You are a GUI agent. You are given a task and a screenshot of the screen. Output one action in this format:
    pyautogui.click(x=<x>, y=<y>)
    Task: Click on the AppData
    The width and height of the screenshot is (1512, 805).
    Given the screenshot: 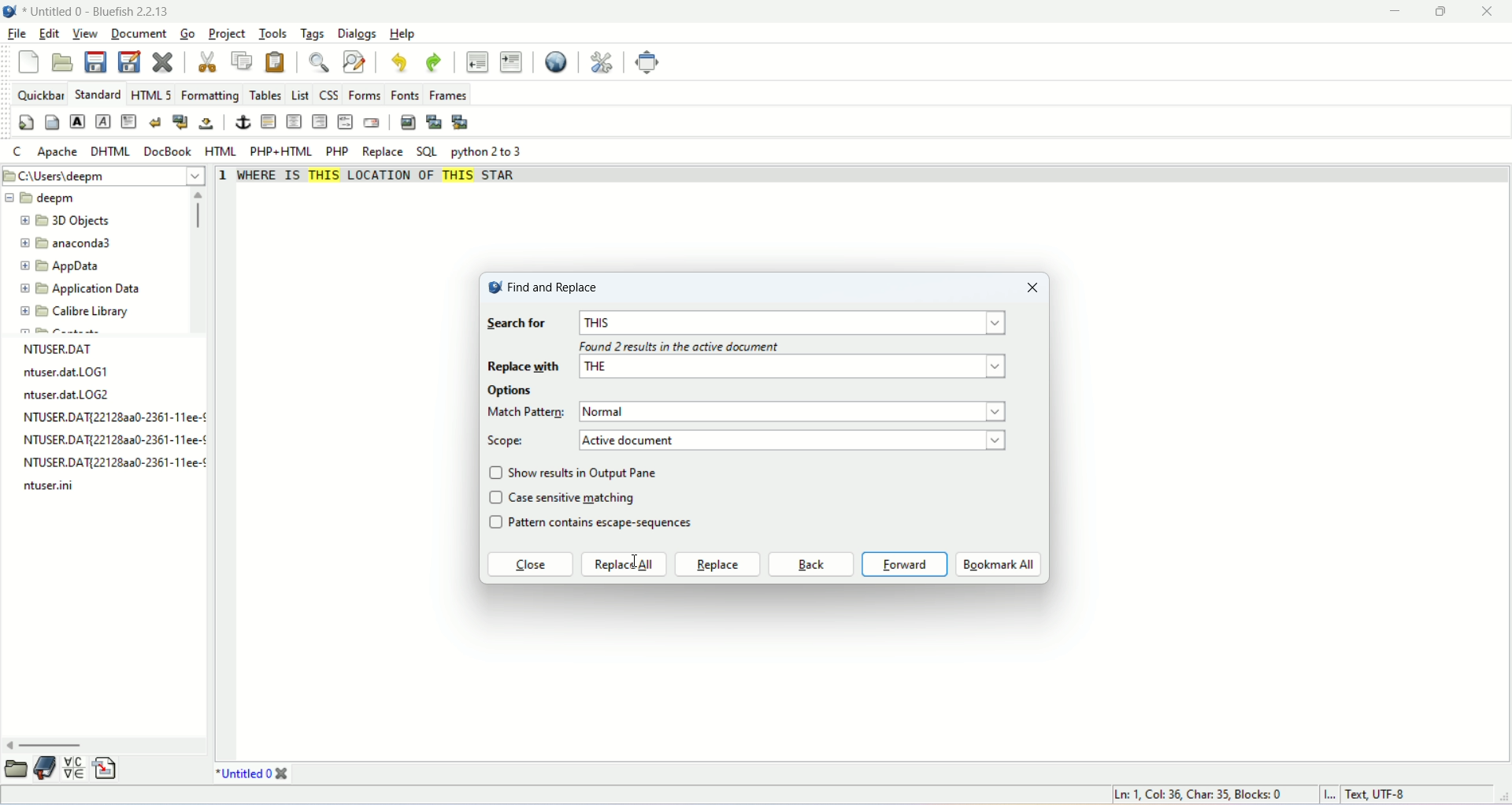 What is the action you would take?
    pyautogui.click(x=62, y=265)
    